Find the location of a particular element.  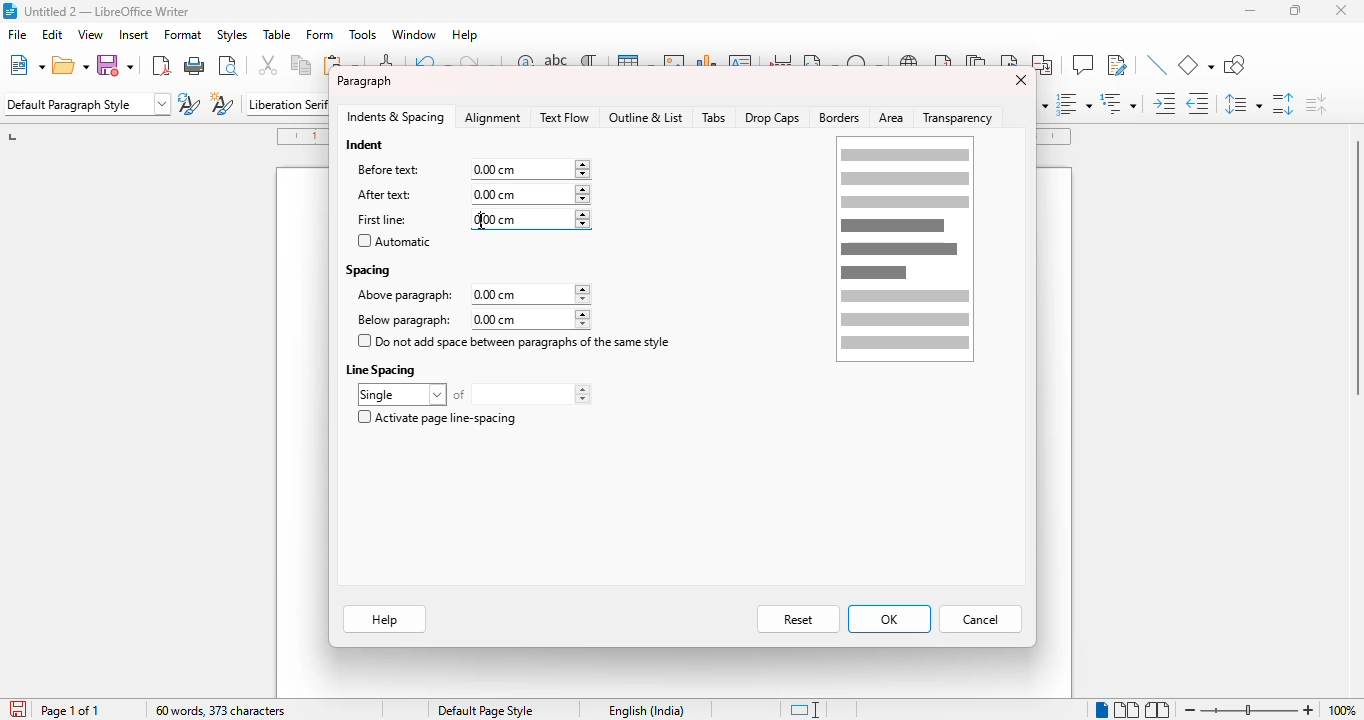

vertical scroll bar is located at coordinates (1355, 267).